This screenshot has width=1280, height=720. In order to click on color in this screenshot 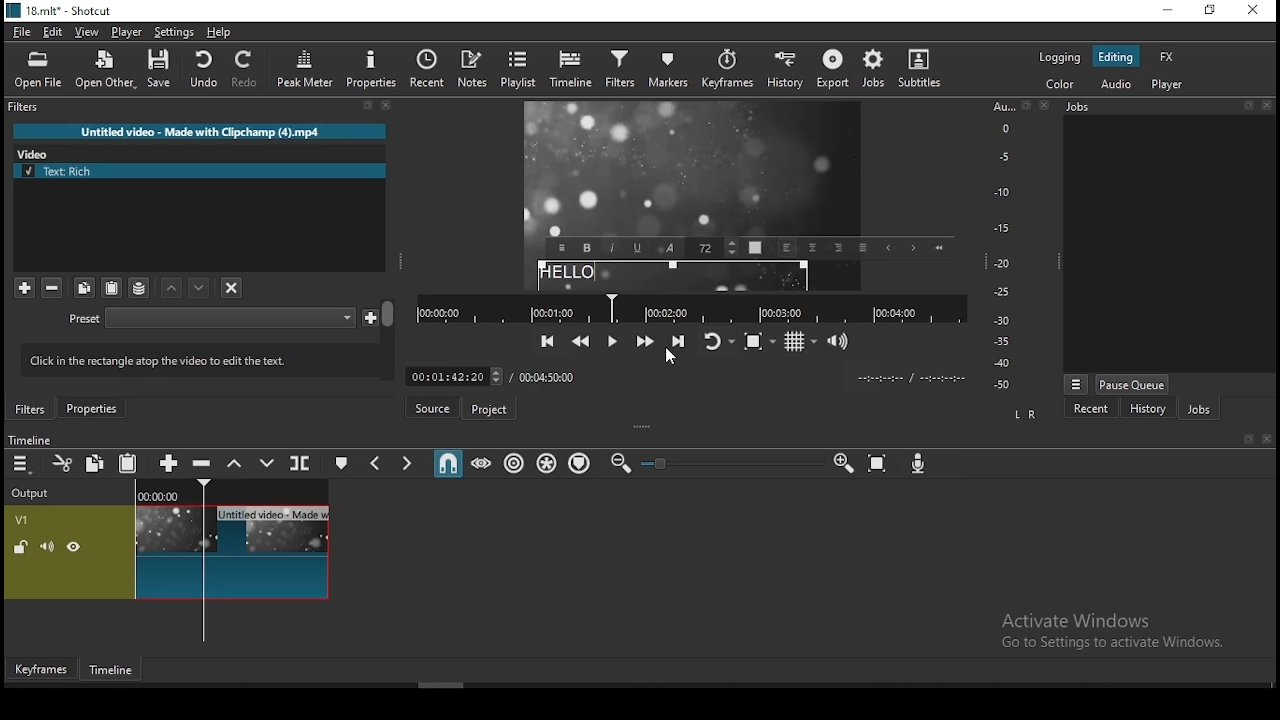, I will do `click(1059, 86)`.